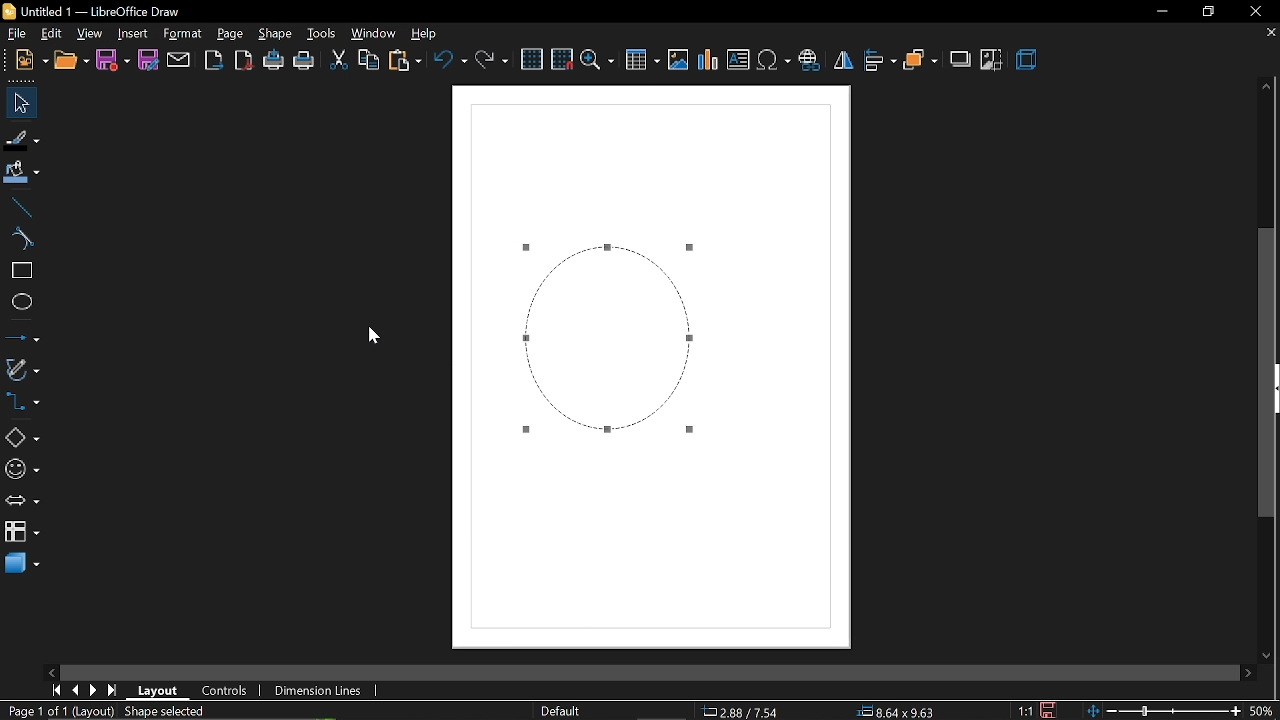 The height and width of the screenshot is (720, 1280). I want to click on edit, so click(50, 34).